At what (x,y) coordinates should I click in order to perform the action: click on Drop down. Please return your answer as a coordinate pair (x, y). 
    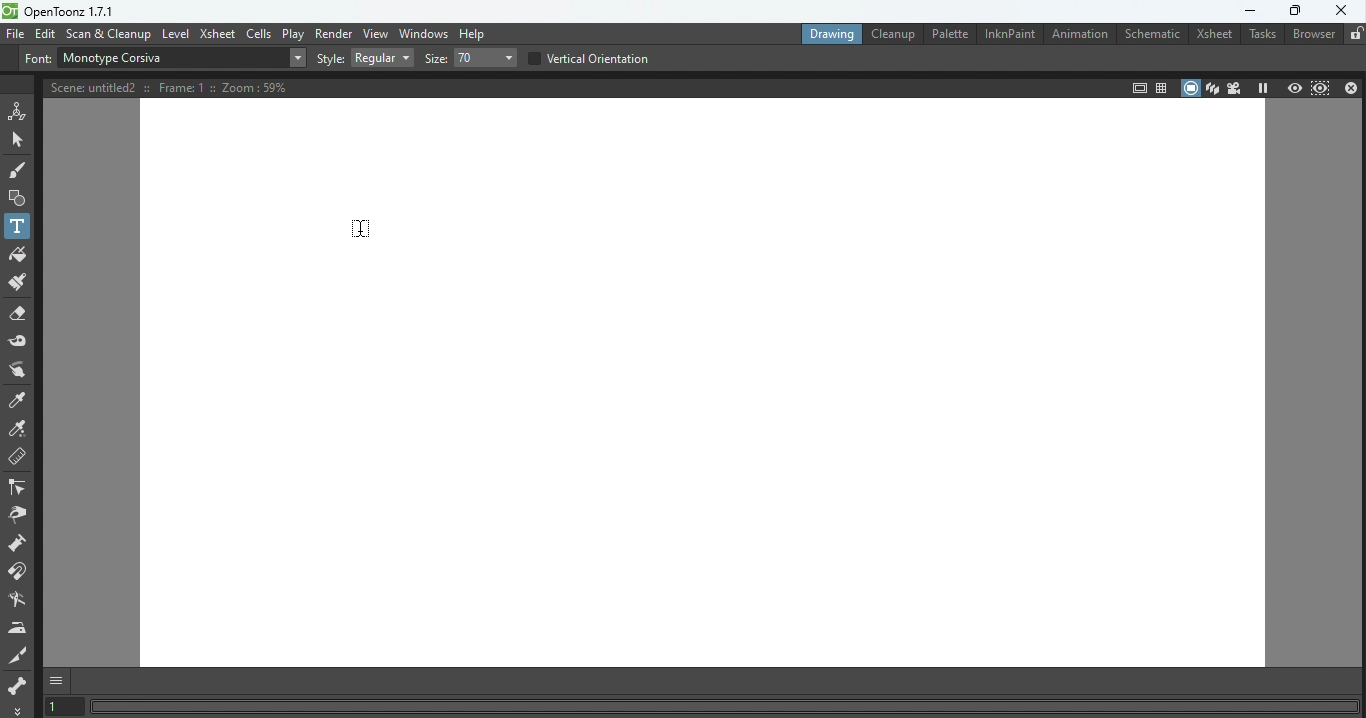
    Looking at the image, I should click on (381, 60).